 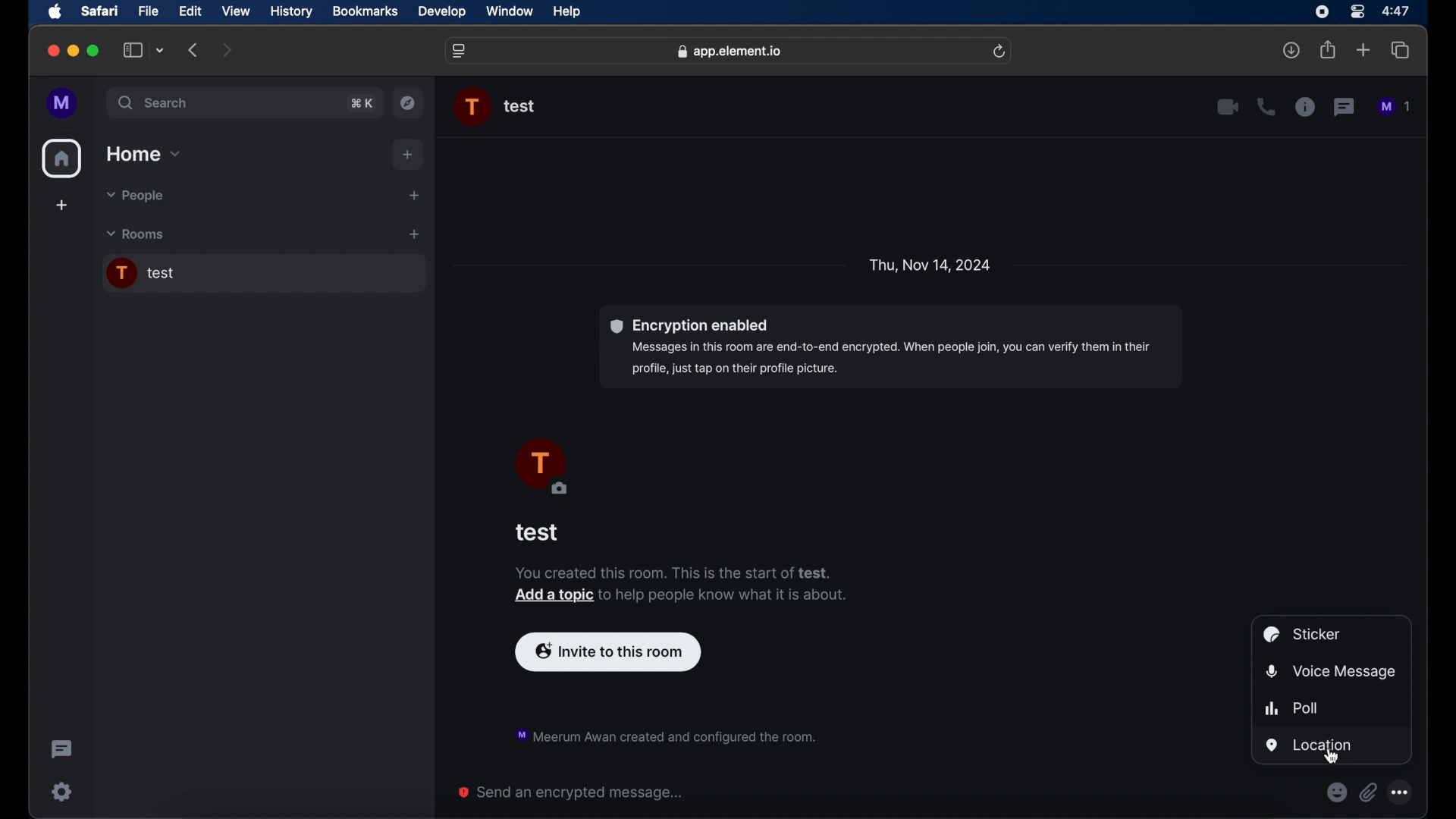 What do you see at coordinates (132, 51) in the screenshot?
I see `show sidebar` at bounding box center [132, 51].